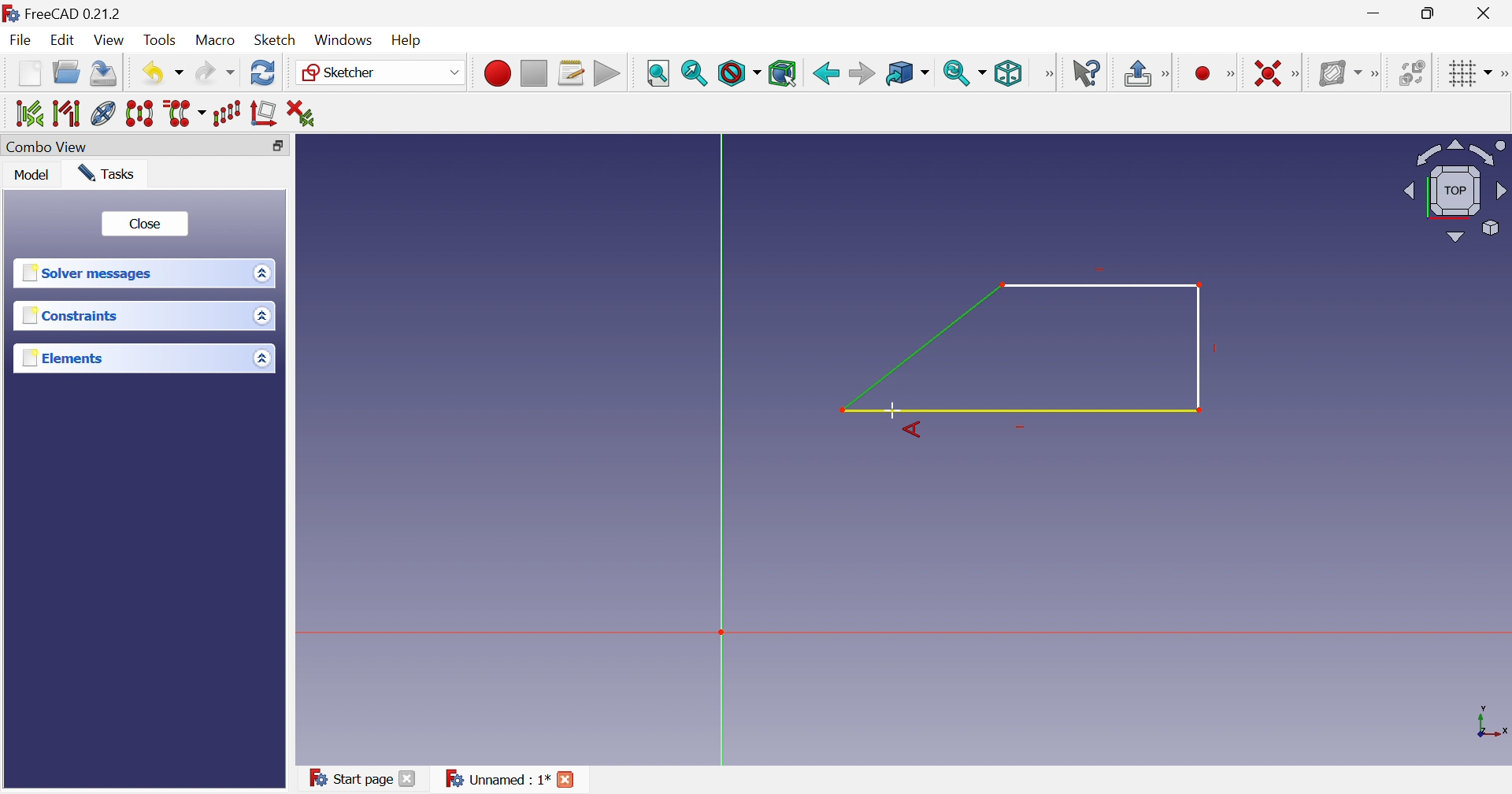  What do you see at coordinates (1489, 70) in the screenshot?
I see `Drop Down` at bounding box center [1489, 70].